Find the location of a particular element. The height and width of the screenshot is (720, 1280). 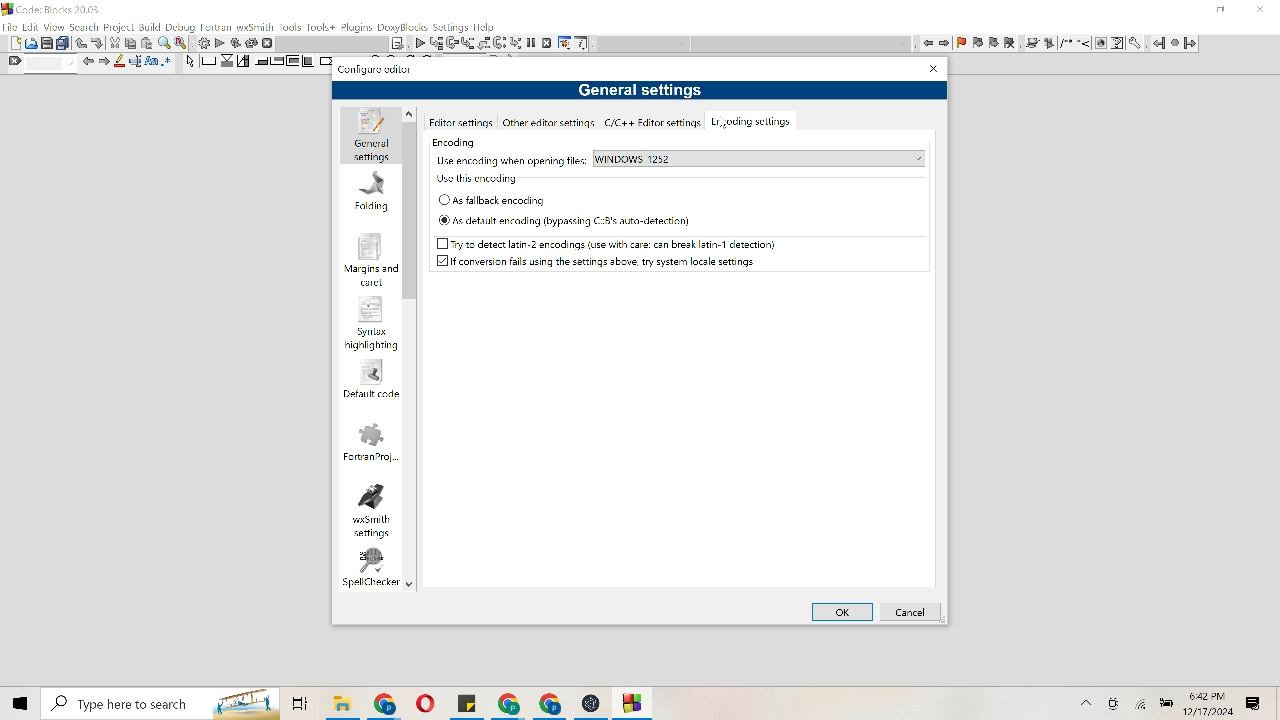

Use encoding when opening files is located at coordinates (508, 162).